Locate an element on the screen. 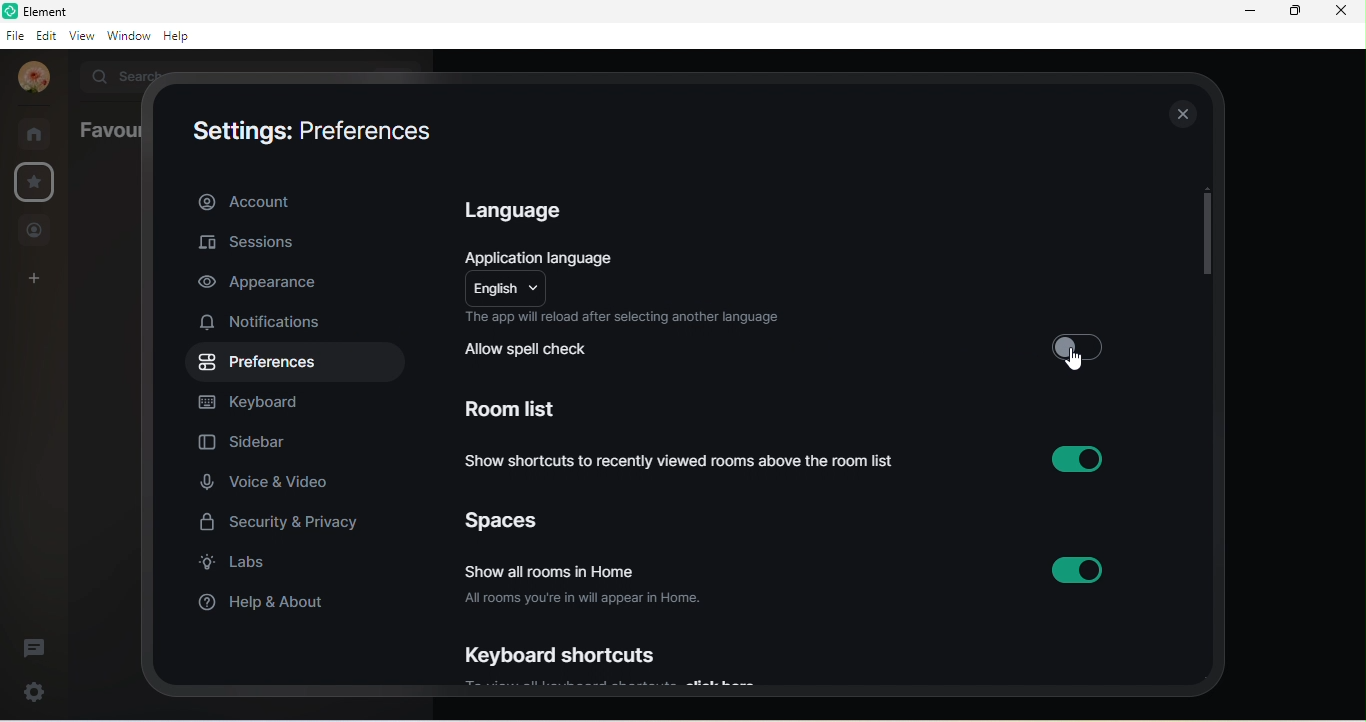  sessions is located at coordinates (249, 244).